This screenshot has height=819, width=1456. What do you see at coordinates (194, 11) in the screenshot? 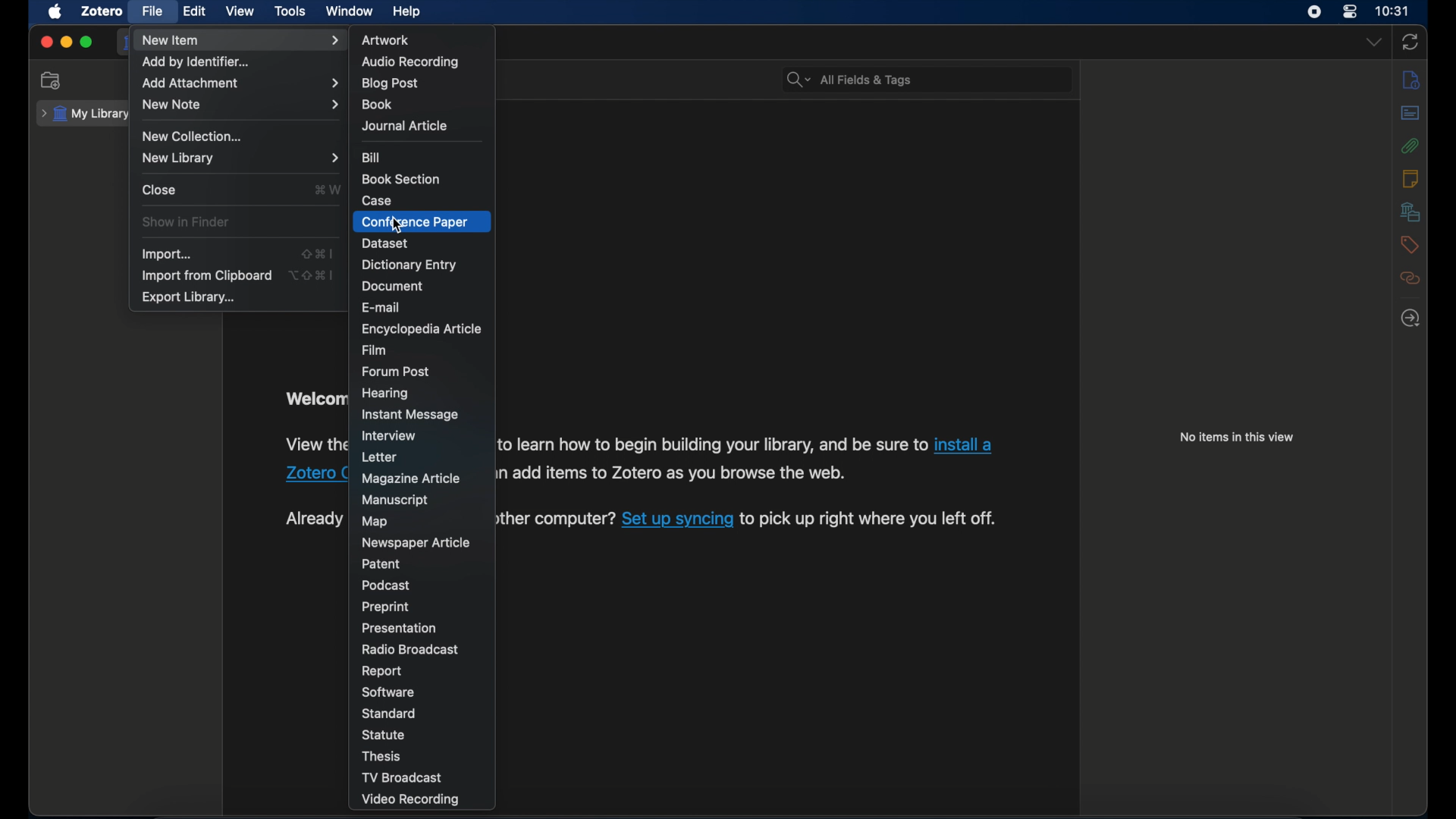
I see `edit` at bounding box center [194, 11].